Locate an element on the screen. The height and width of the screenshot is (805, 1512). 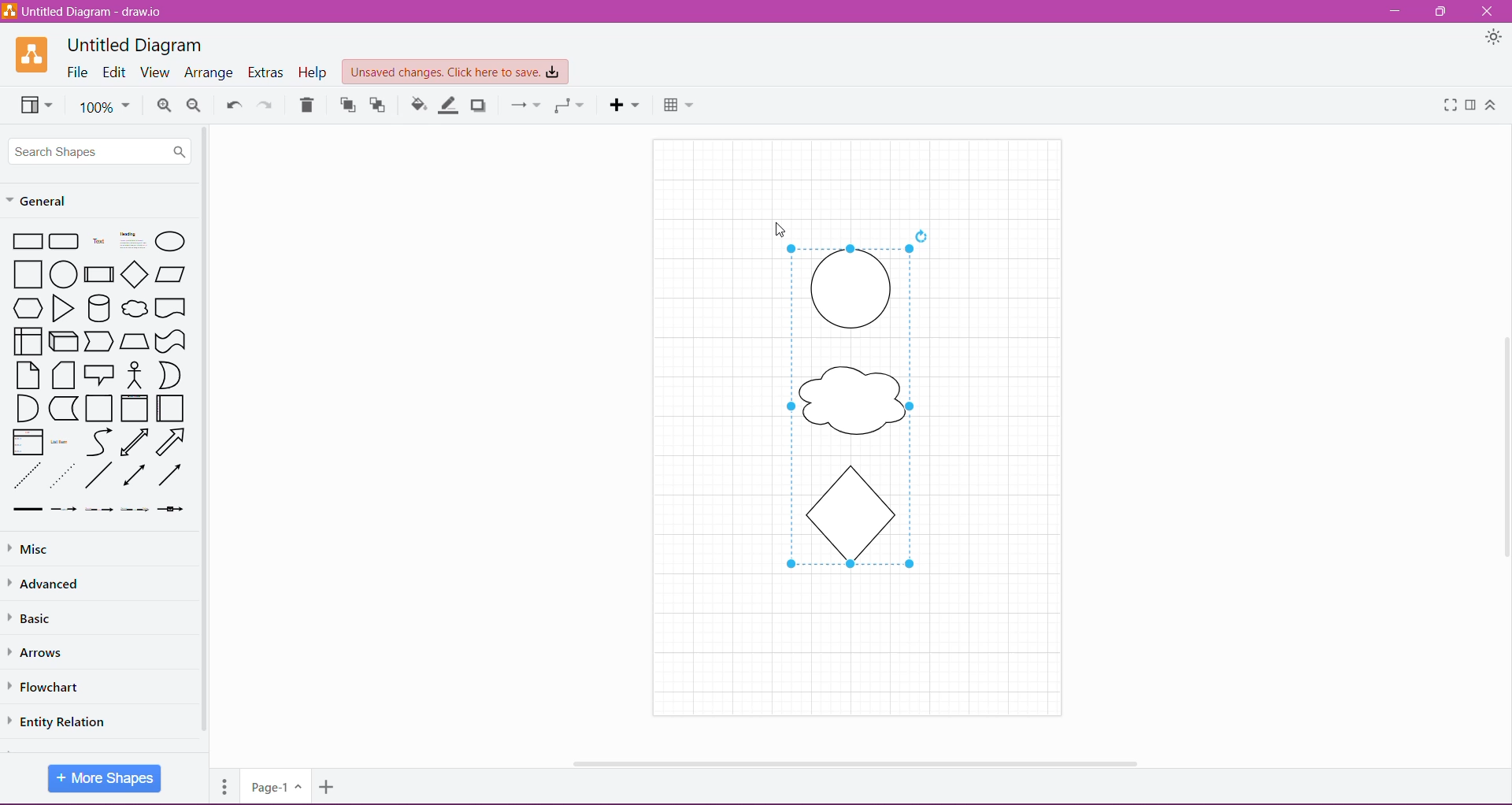
View is located at coordinates (154, 72).